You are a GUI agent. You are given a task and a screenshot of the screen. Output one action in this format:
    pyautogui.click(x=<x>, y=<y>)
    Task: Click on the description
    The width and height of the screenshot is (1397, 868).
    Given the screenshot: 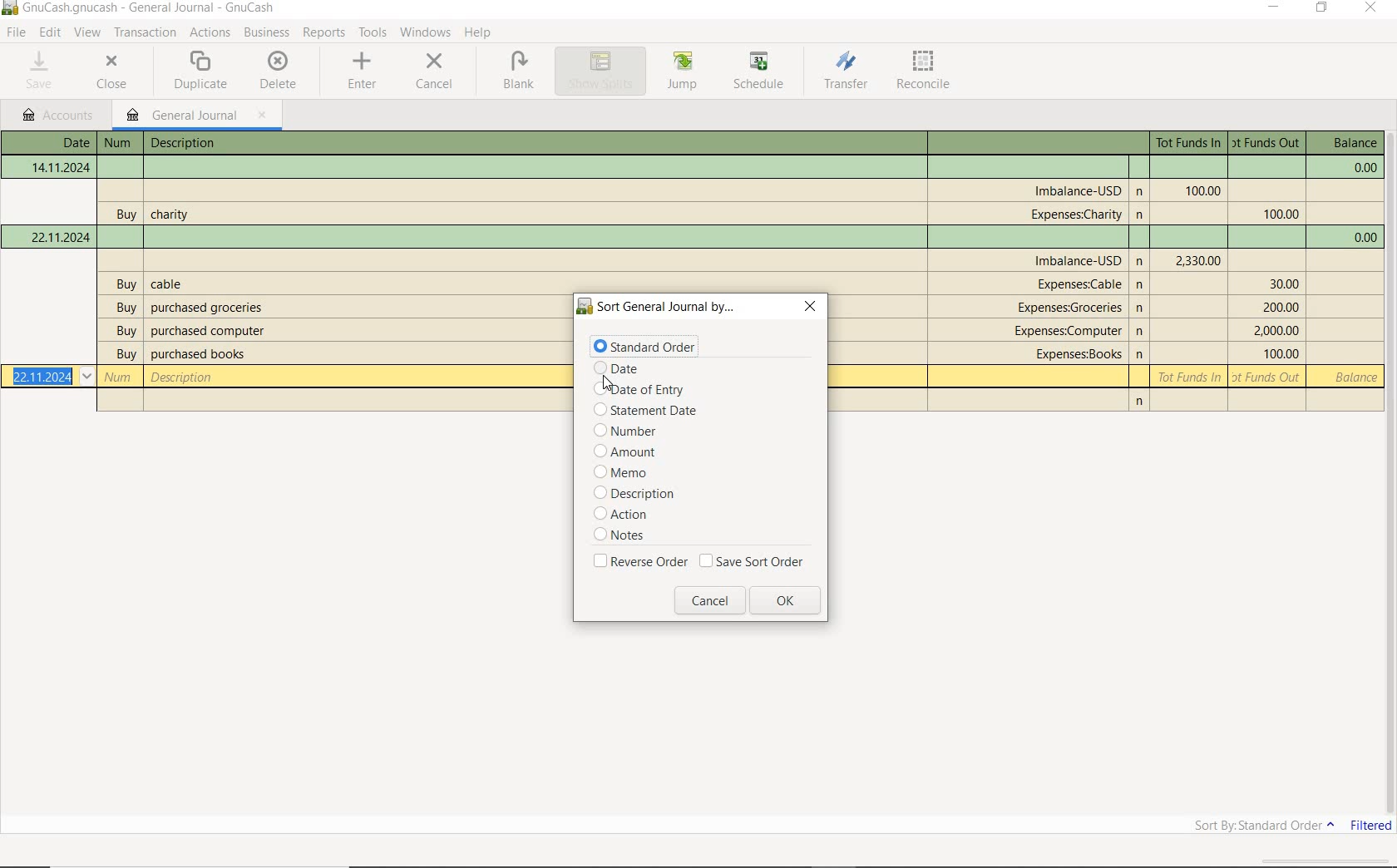 What is the action you would take?
    pyautogui.click(x=186, y=144)
    